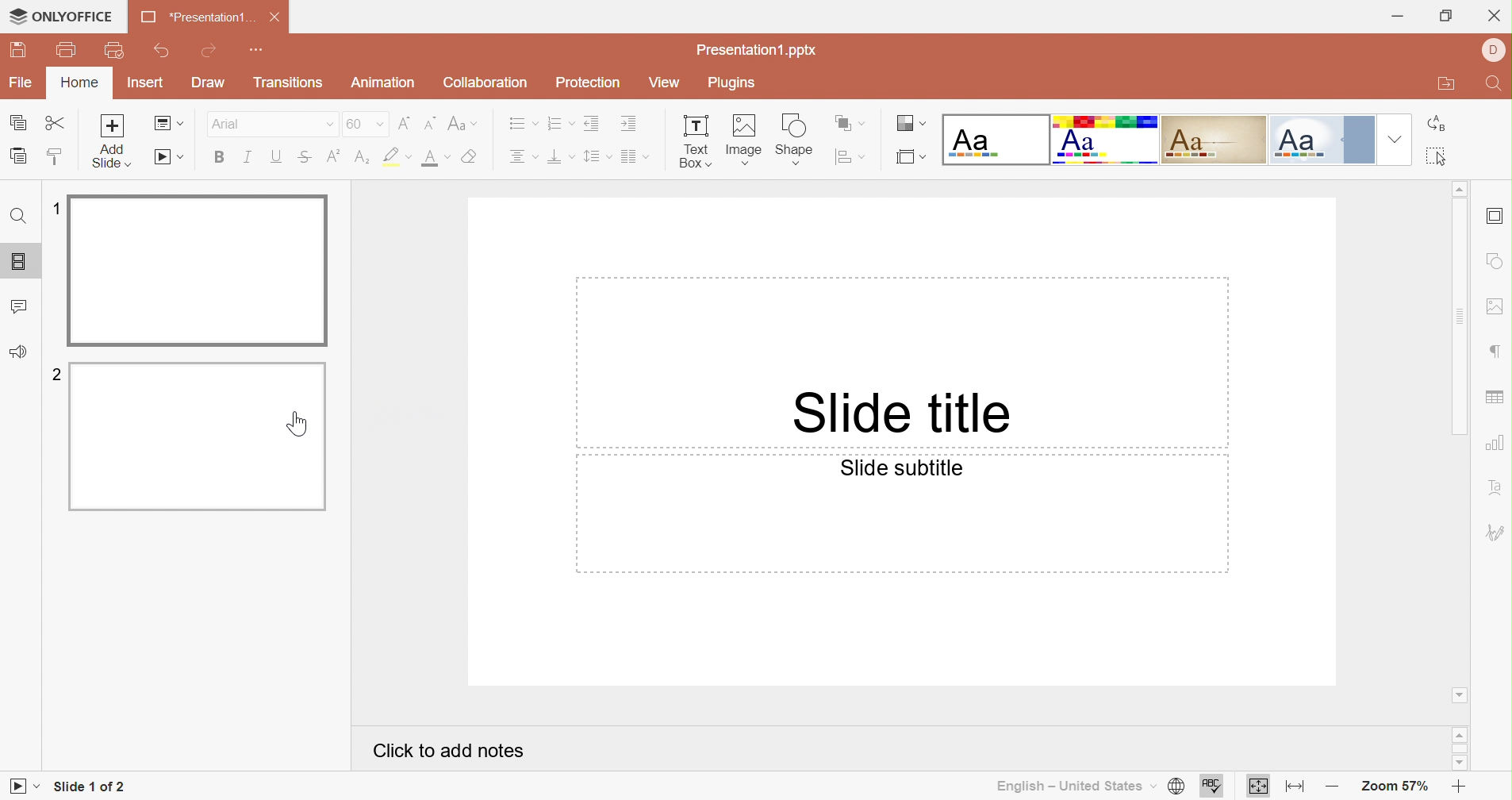 This screenshot has width=1512, height=800. What do you see at coordinates (199, 271) in the screenshot?
I see `Slide 1` at bounding box center [199, 271].